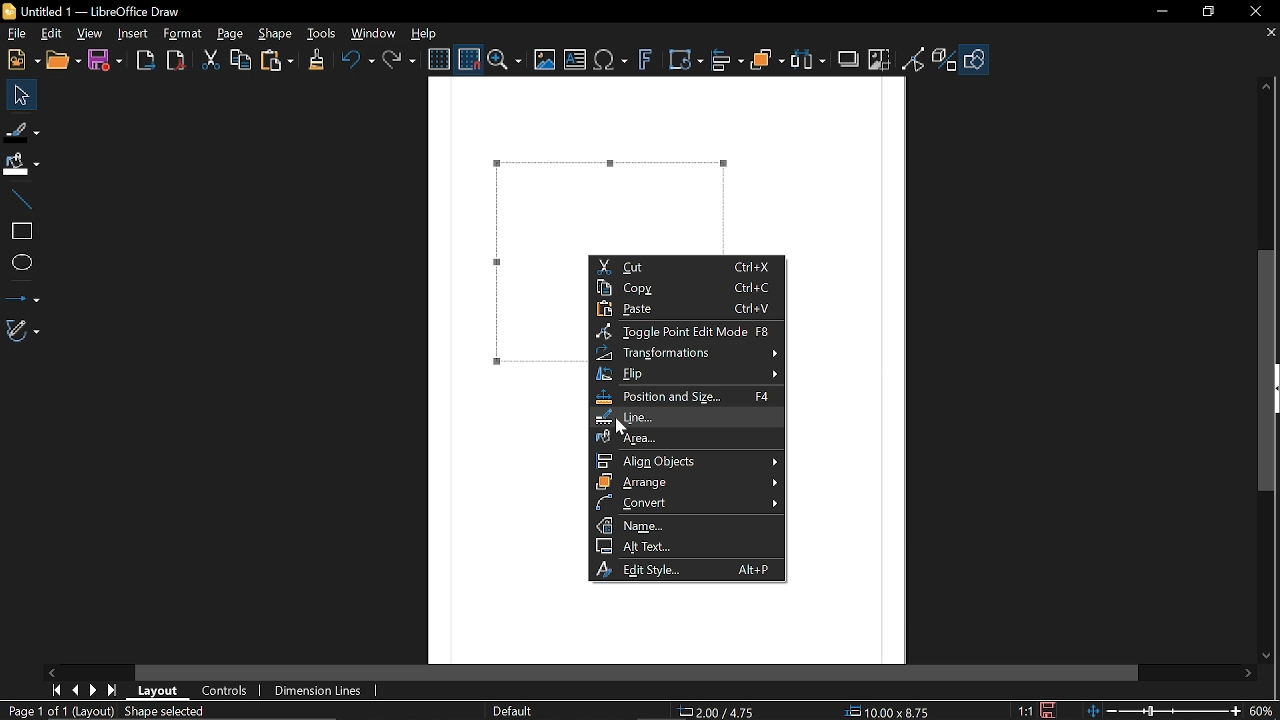  Describe the element at coordinates (1270, 32) in the screenshot. I see `Close tab` at that location.